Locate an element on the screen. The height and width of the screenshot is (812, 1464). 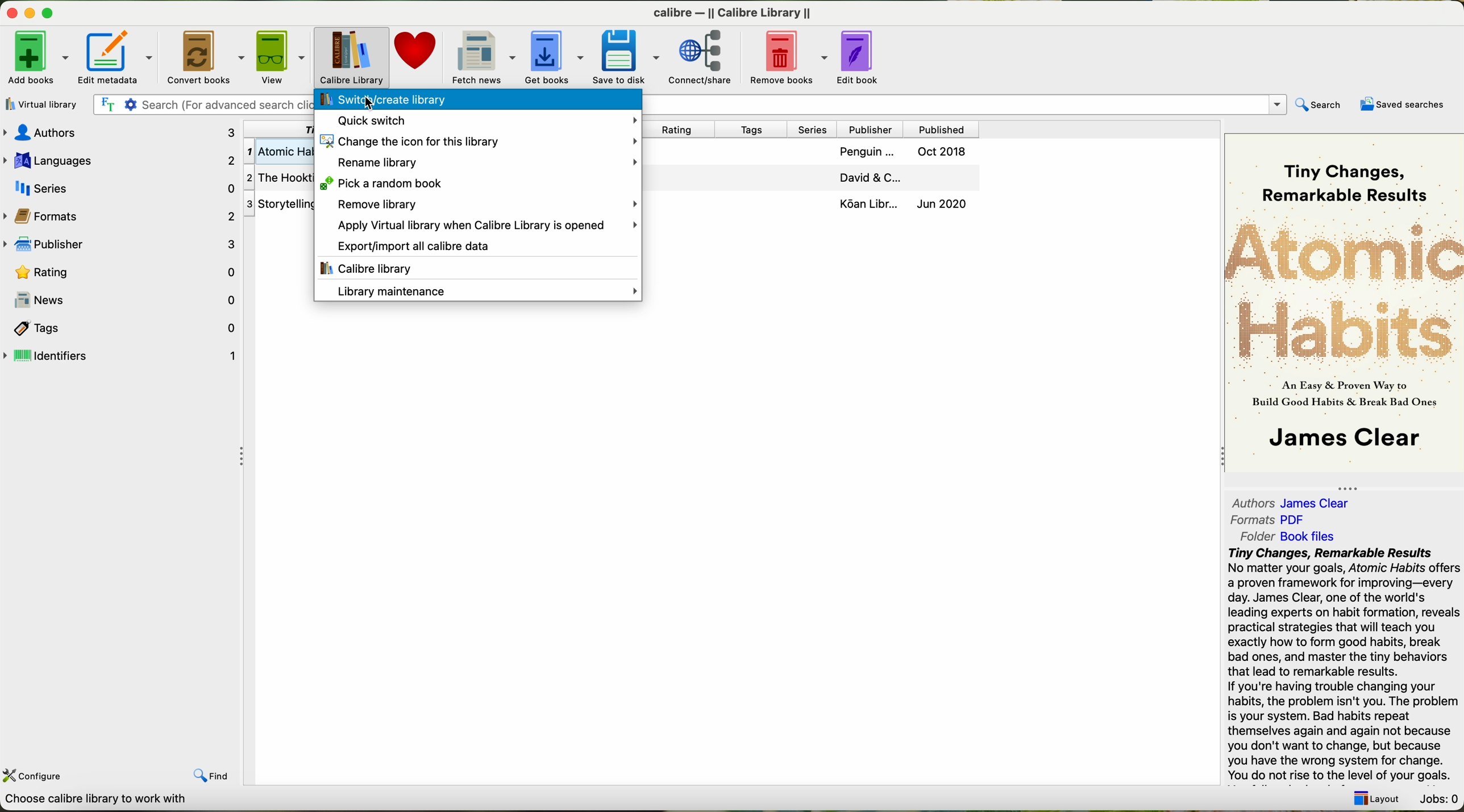
switch/create library is located at coordinates (477, 100).